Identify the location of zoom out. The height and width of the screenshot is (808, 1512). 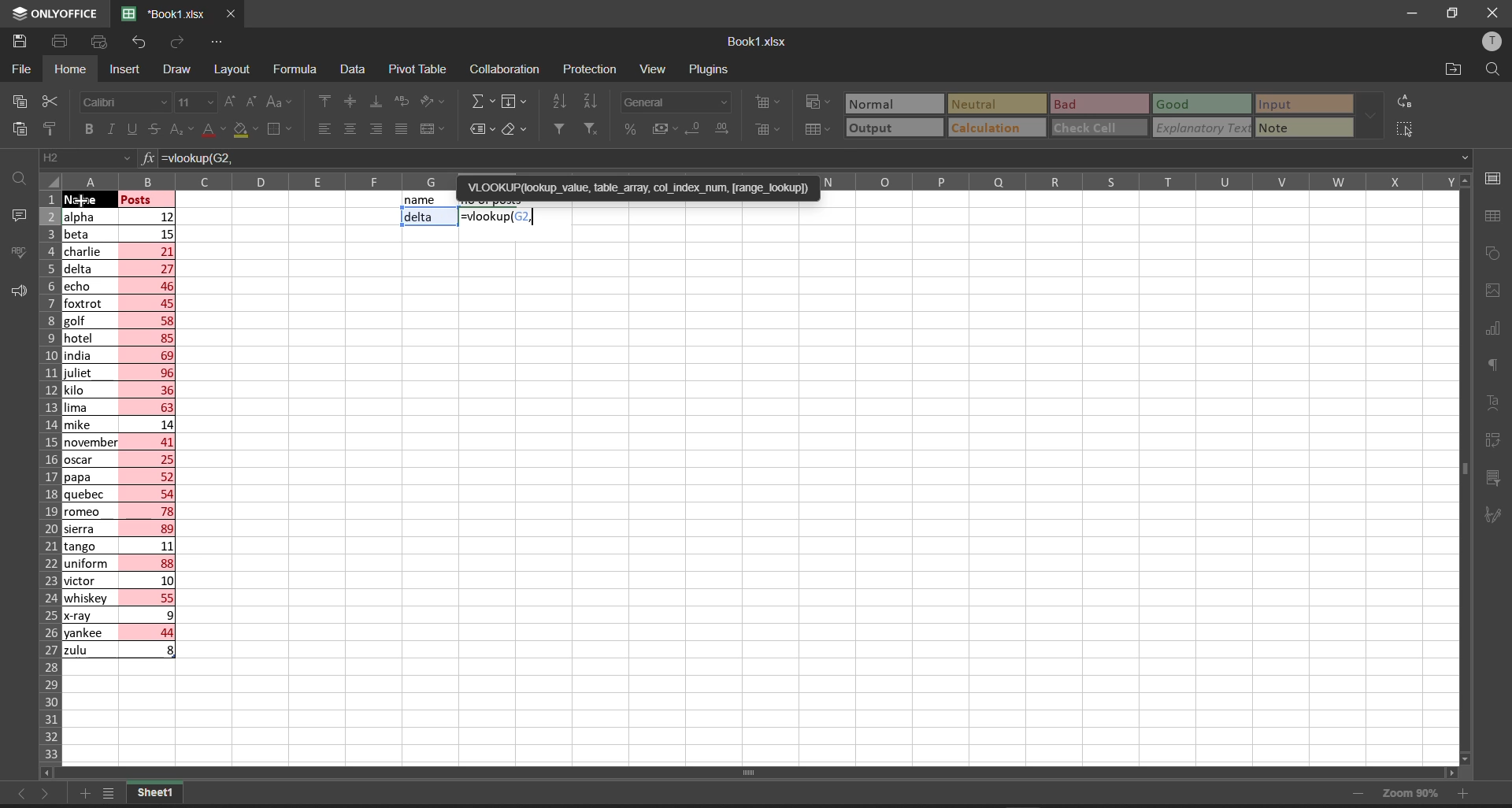
(1356, 796).